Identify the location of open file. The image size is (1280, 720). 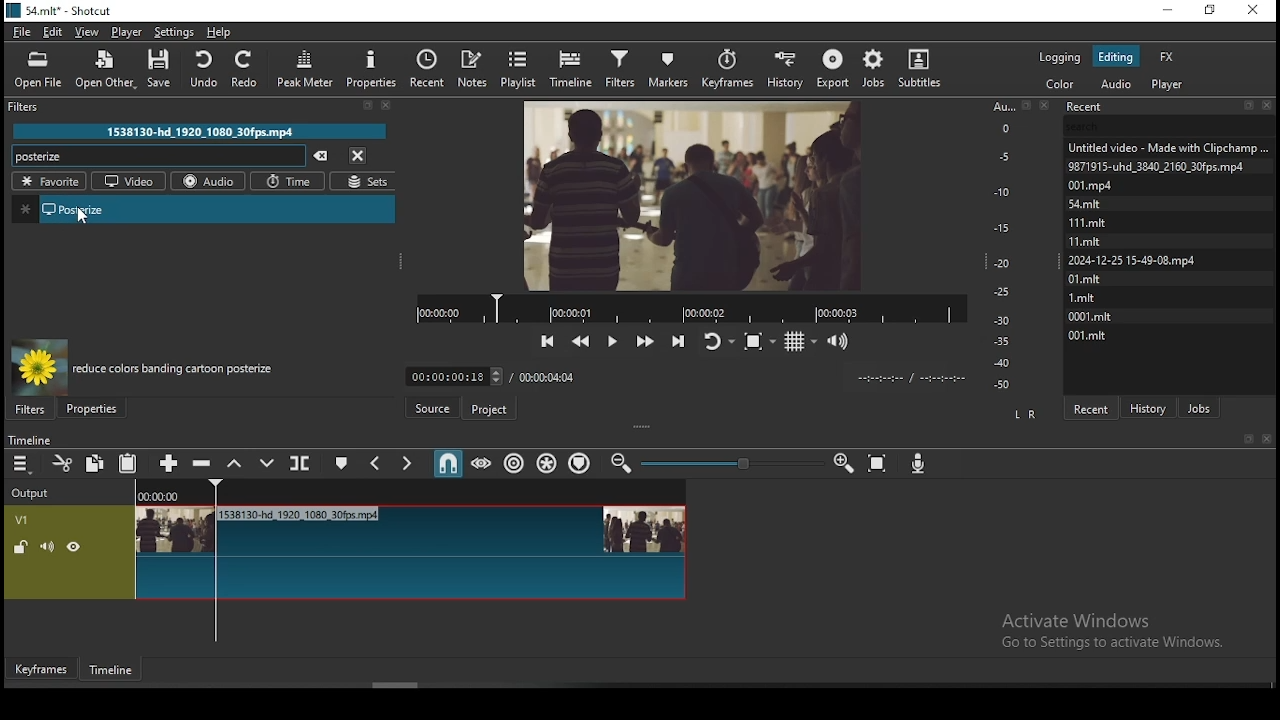
(37, 69).